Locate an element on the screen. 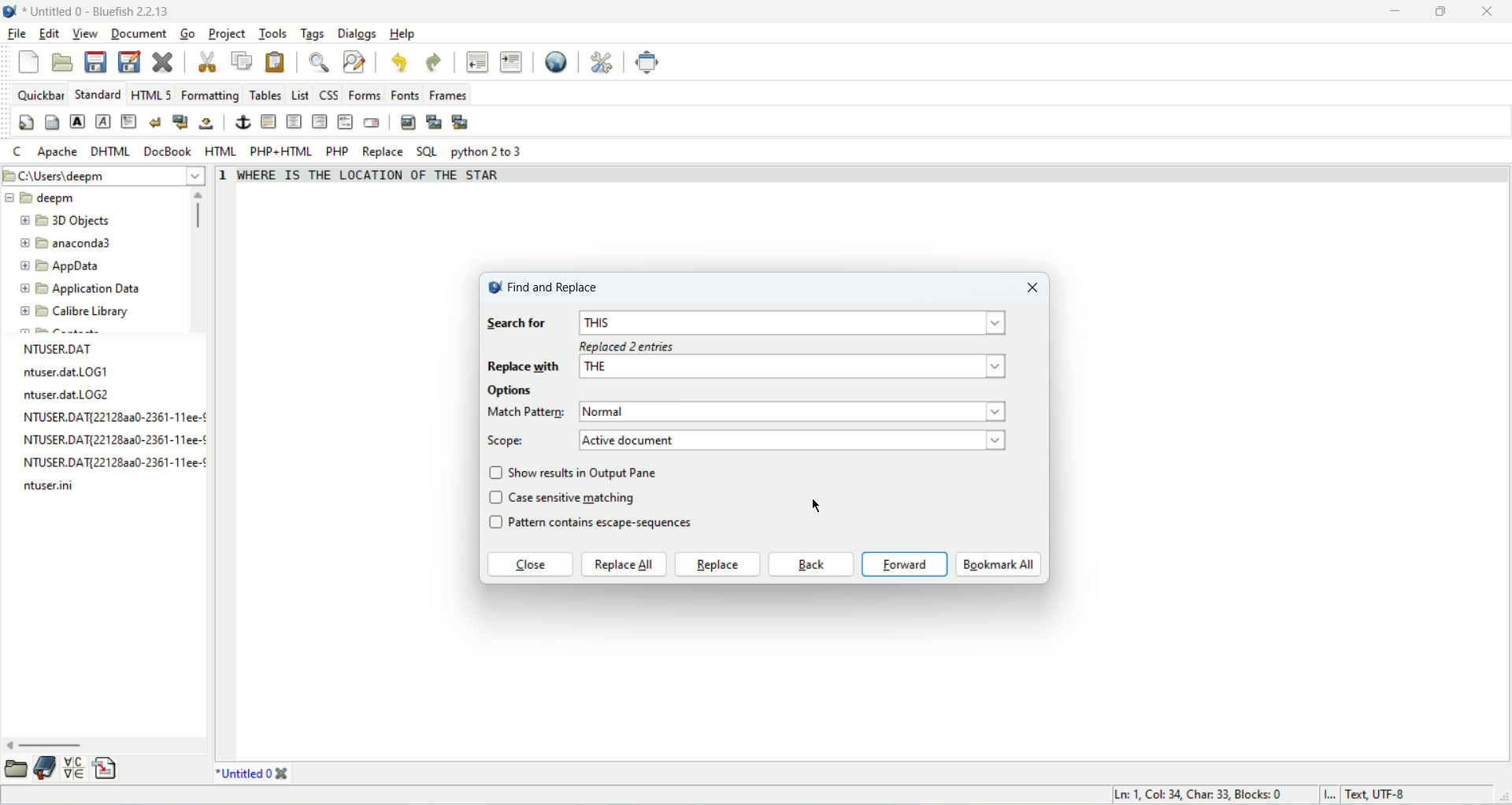 This screenshot has width=1512, height=805. 3D Objects is located at coordinates (67, 222).